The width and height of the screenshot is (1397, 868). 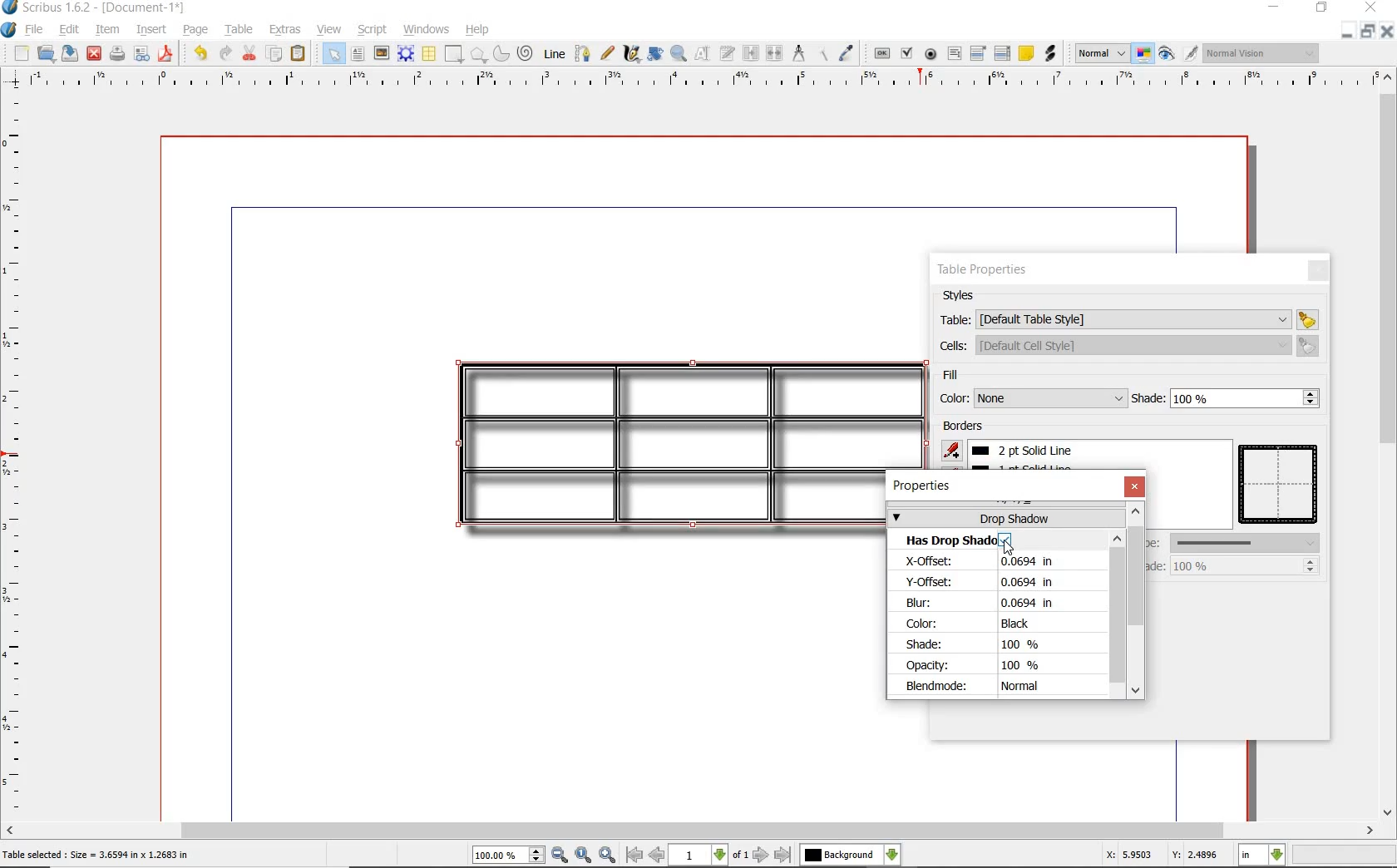 I want to click on freehand line, so click(x=608, y=55).